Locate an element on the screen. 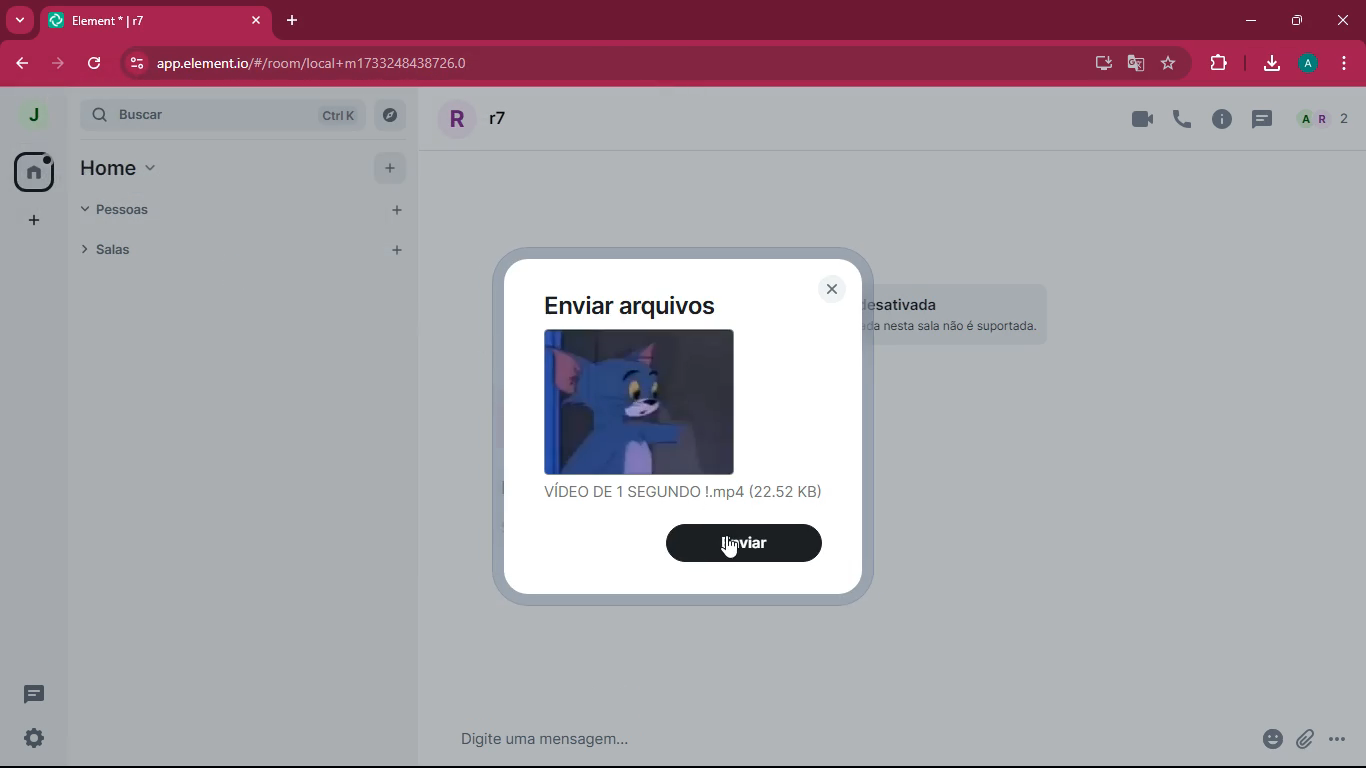 The image size is (1366, 768). message is located at coordinates (720, 737).